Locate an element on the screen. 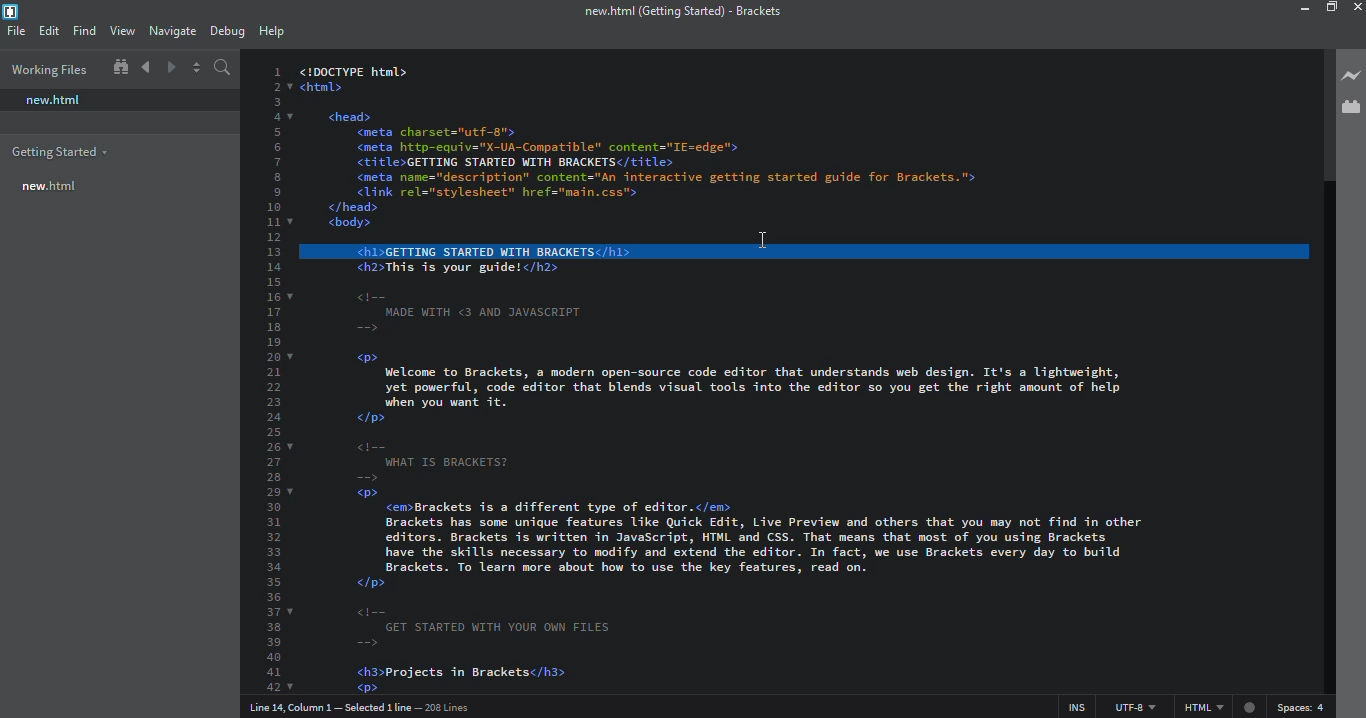 The height and width of the screenshot is (718, 1366). show in file tree is located at coordinates (121, 67).